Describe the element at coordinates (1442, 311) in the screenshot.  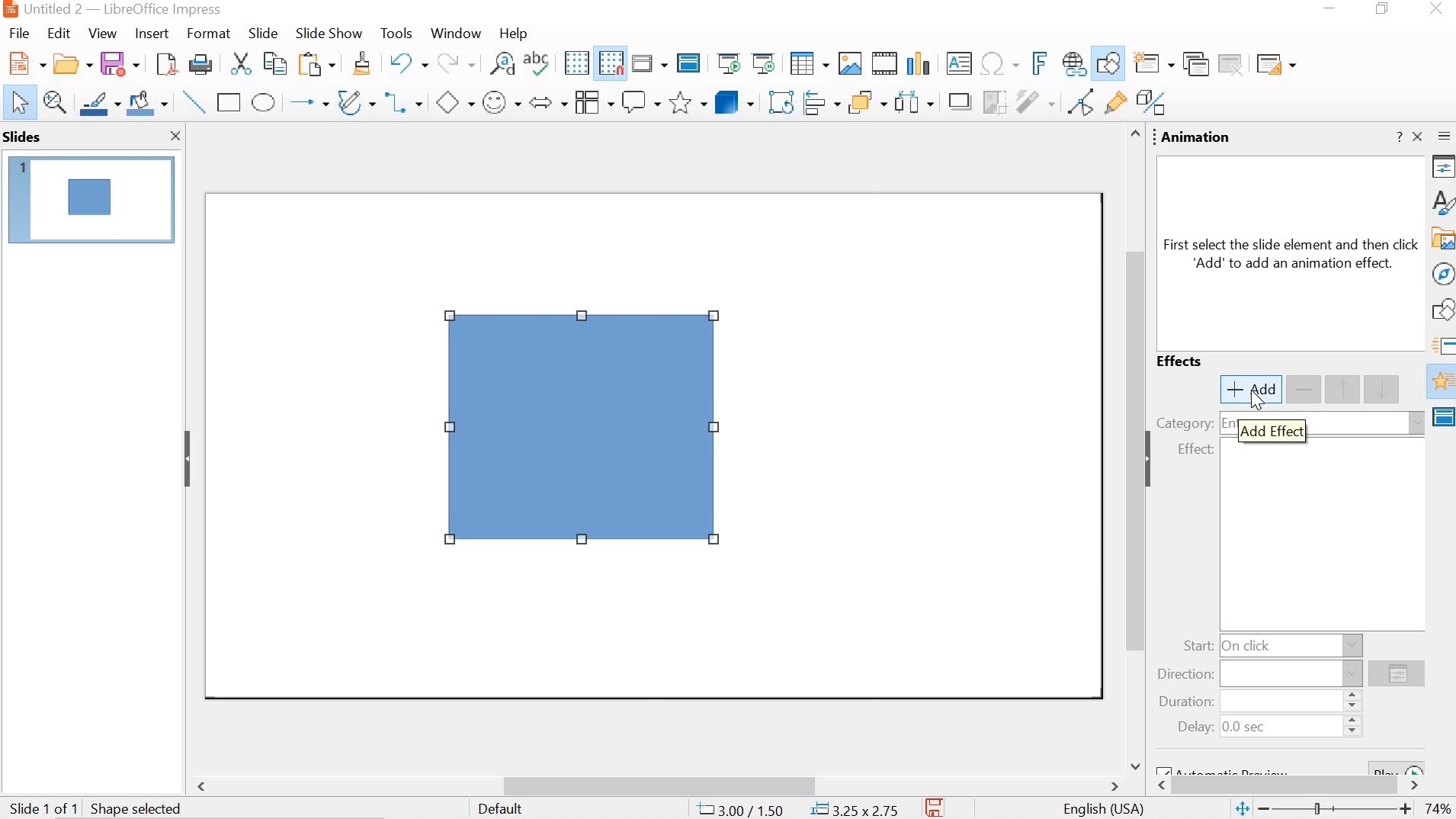
I see `shapes` at that location.